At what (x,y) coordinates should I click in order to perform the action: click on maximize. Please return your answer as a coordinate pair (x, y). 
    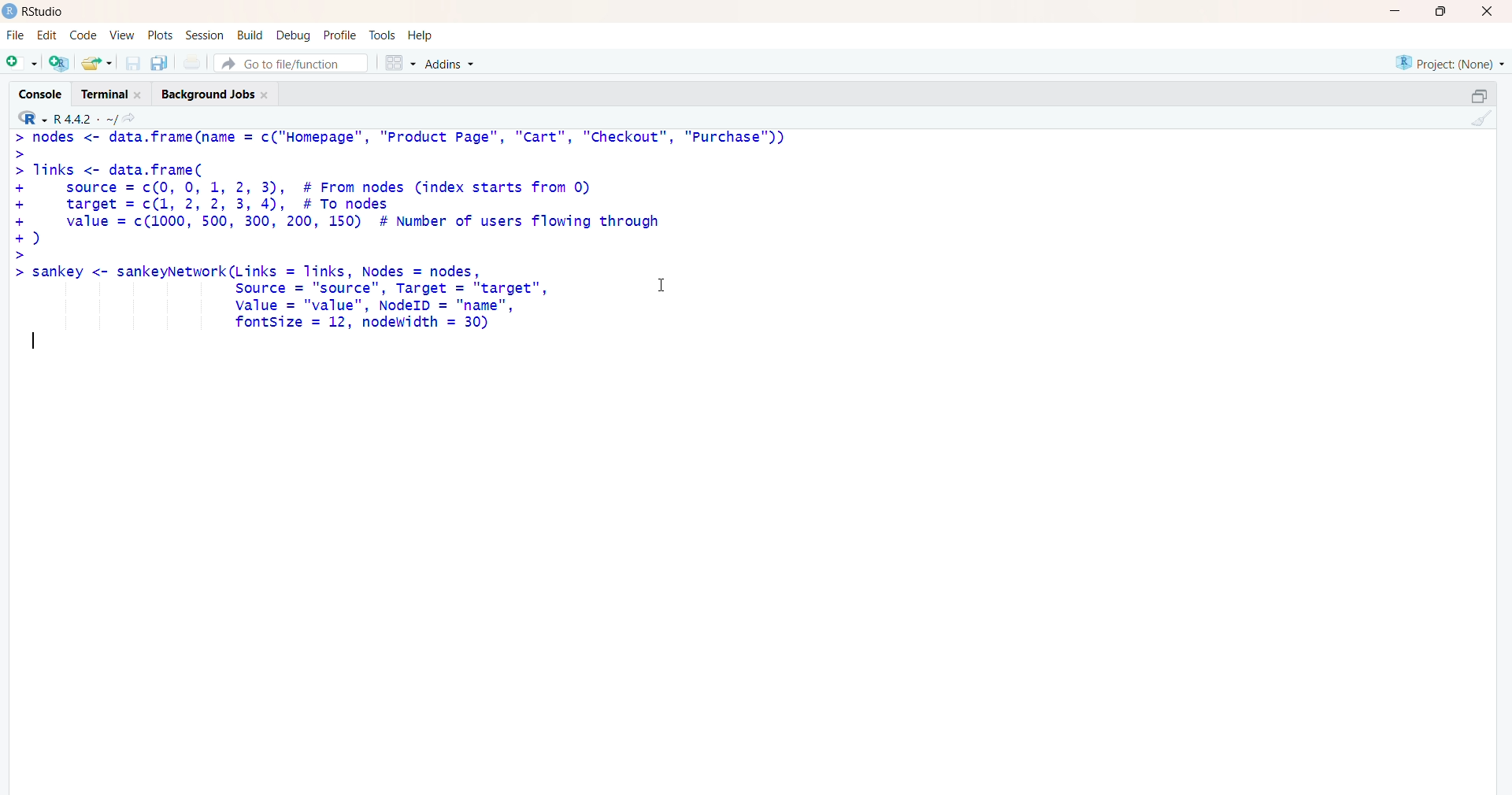
    Looking at the image, I should click on (1439, 12).